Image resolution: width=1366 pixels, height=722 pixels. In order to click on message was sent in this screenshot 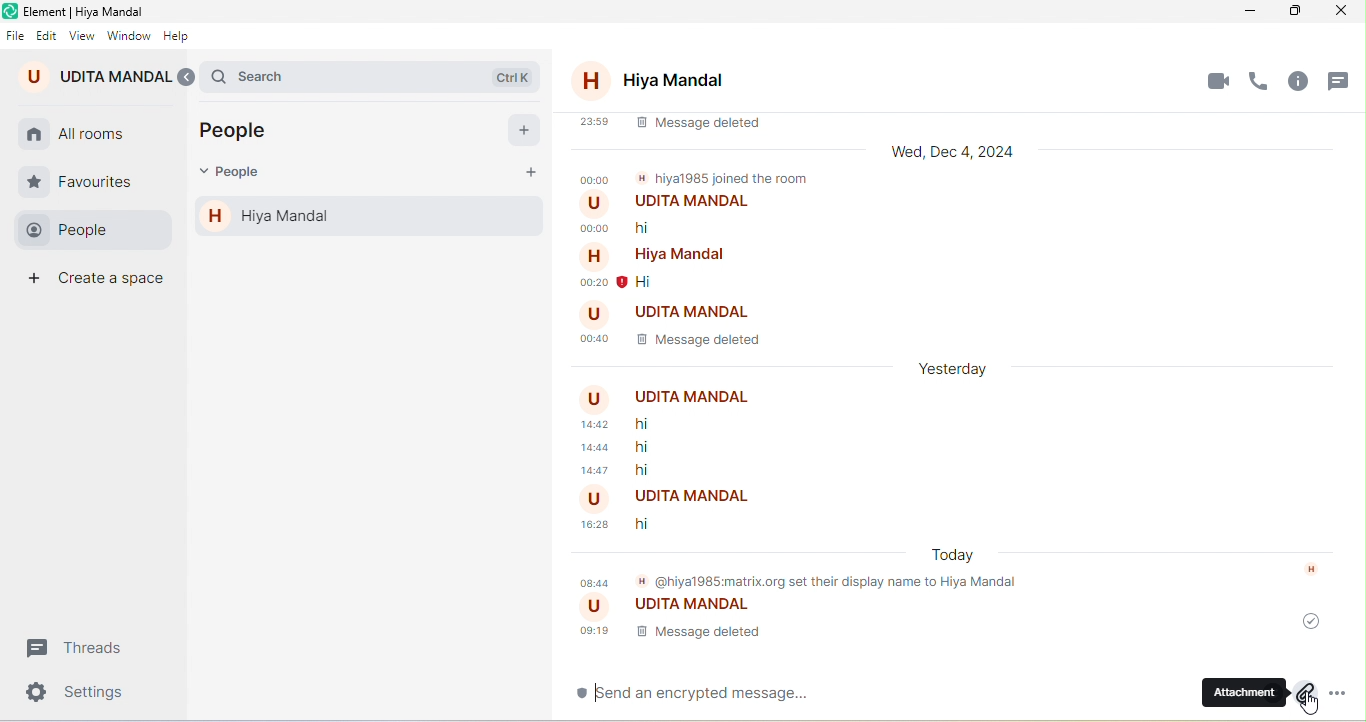, I will do `click(1314, 622)`.